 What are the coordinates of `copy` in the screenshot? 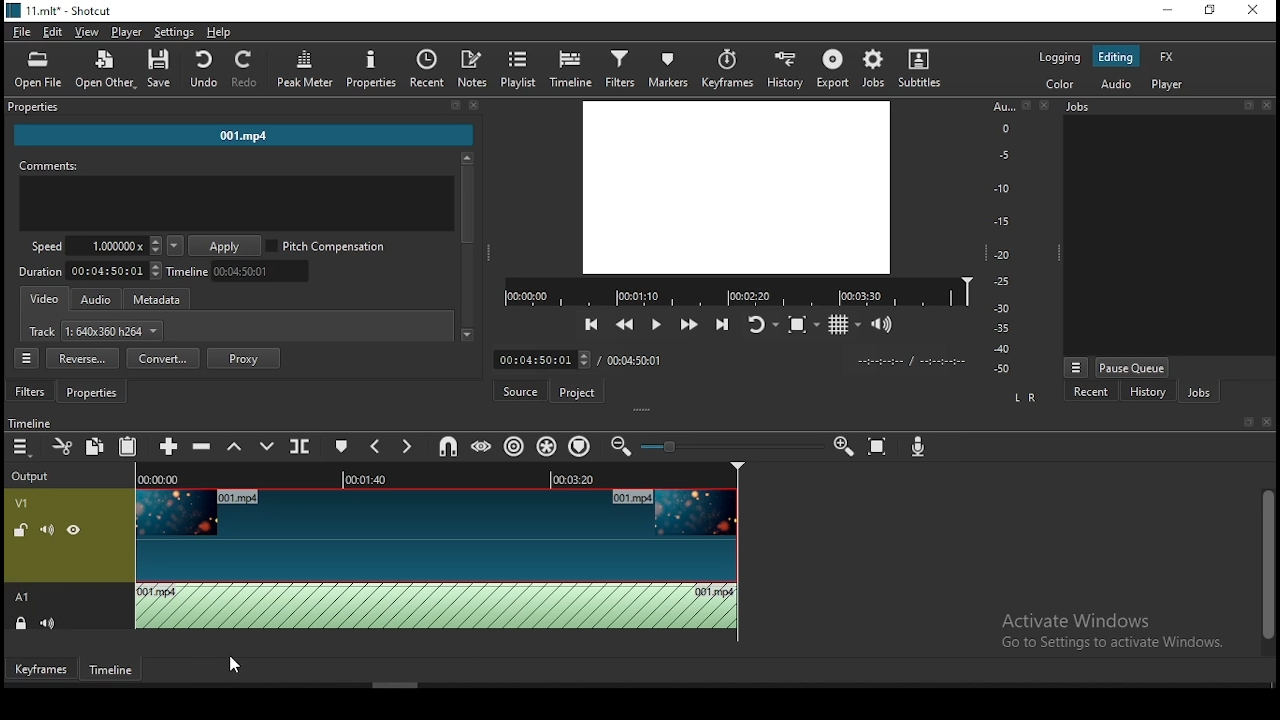 It's located at (96, 446).